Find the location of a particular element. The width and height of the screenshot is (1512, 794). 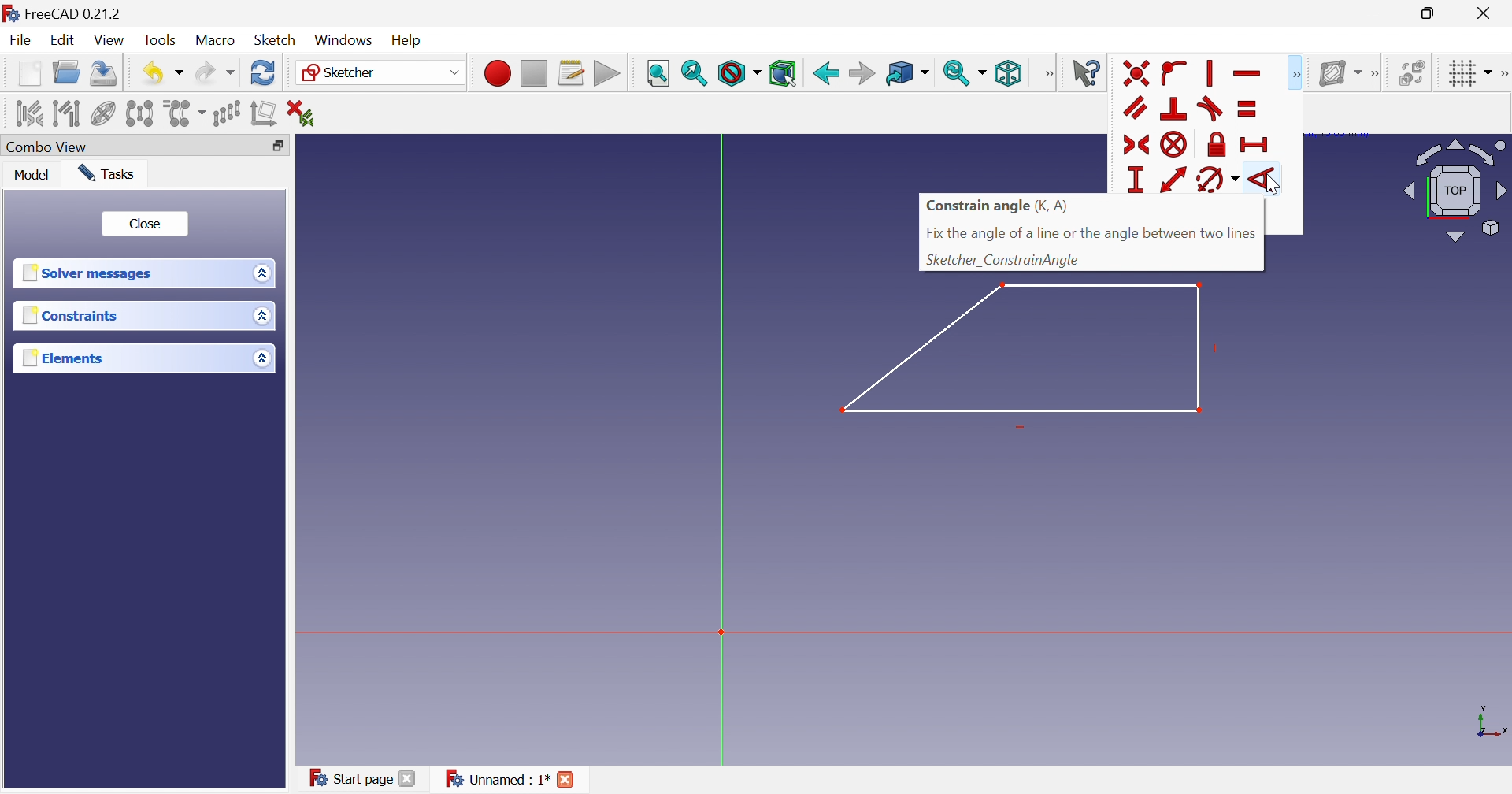

Drop Down is located at coordinates (452, 72).